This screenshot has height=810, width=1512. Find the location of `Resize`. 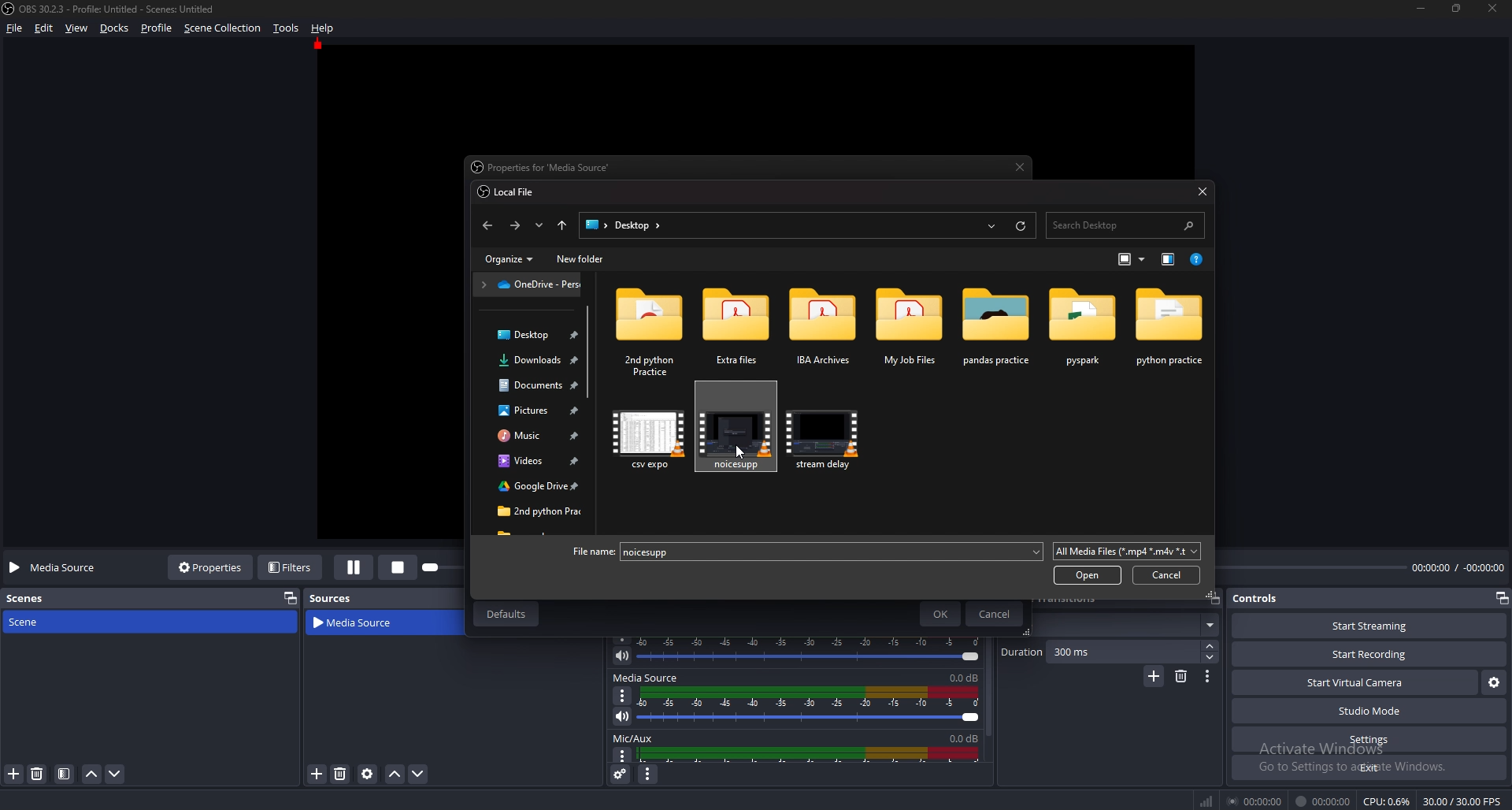

Resize is located at coordinates (1457, 7).